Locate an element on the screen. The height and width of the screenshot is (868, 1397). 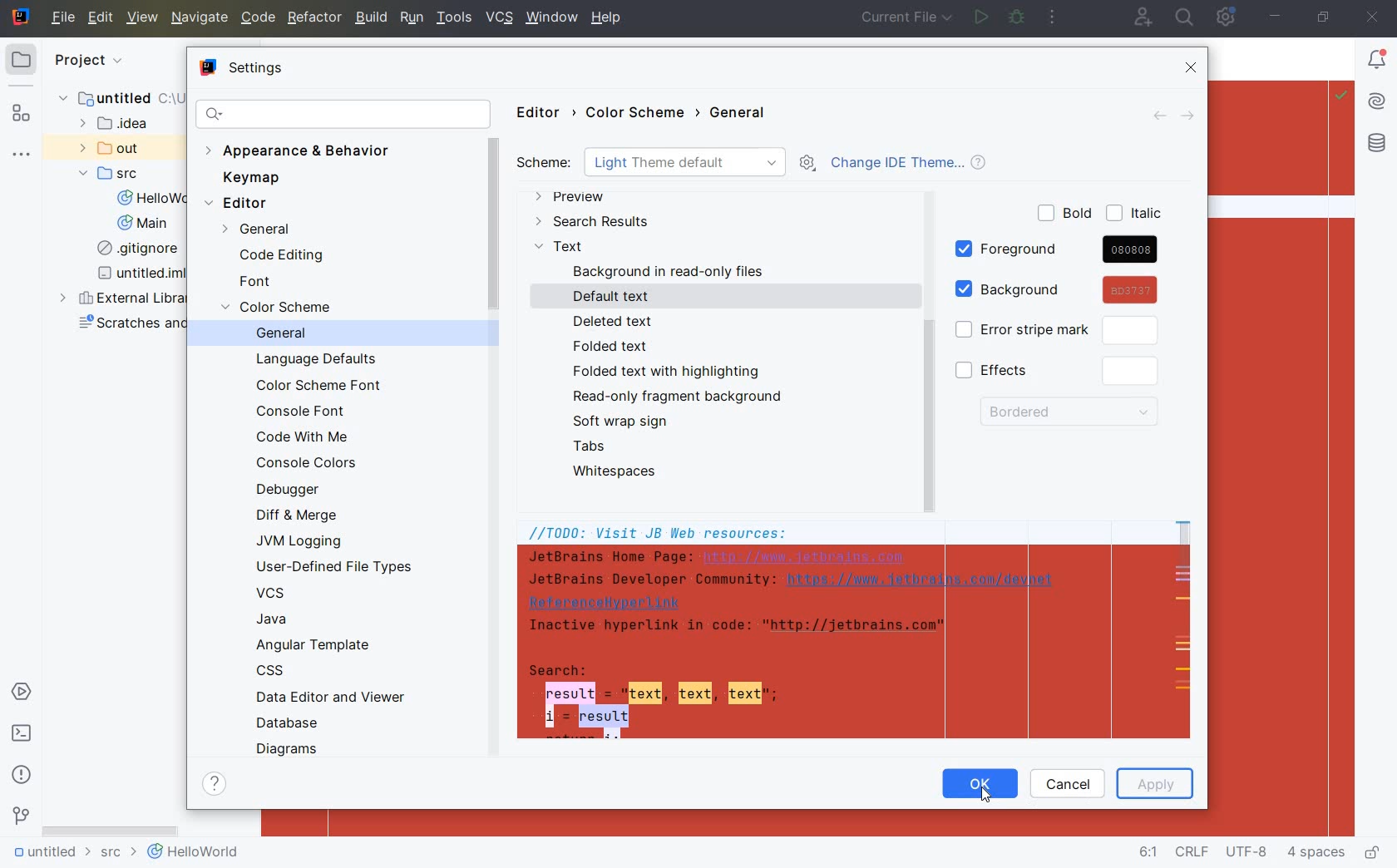
window is located at coordinates (551, 19).